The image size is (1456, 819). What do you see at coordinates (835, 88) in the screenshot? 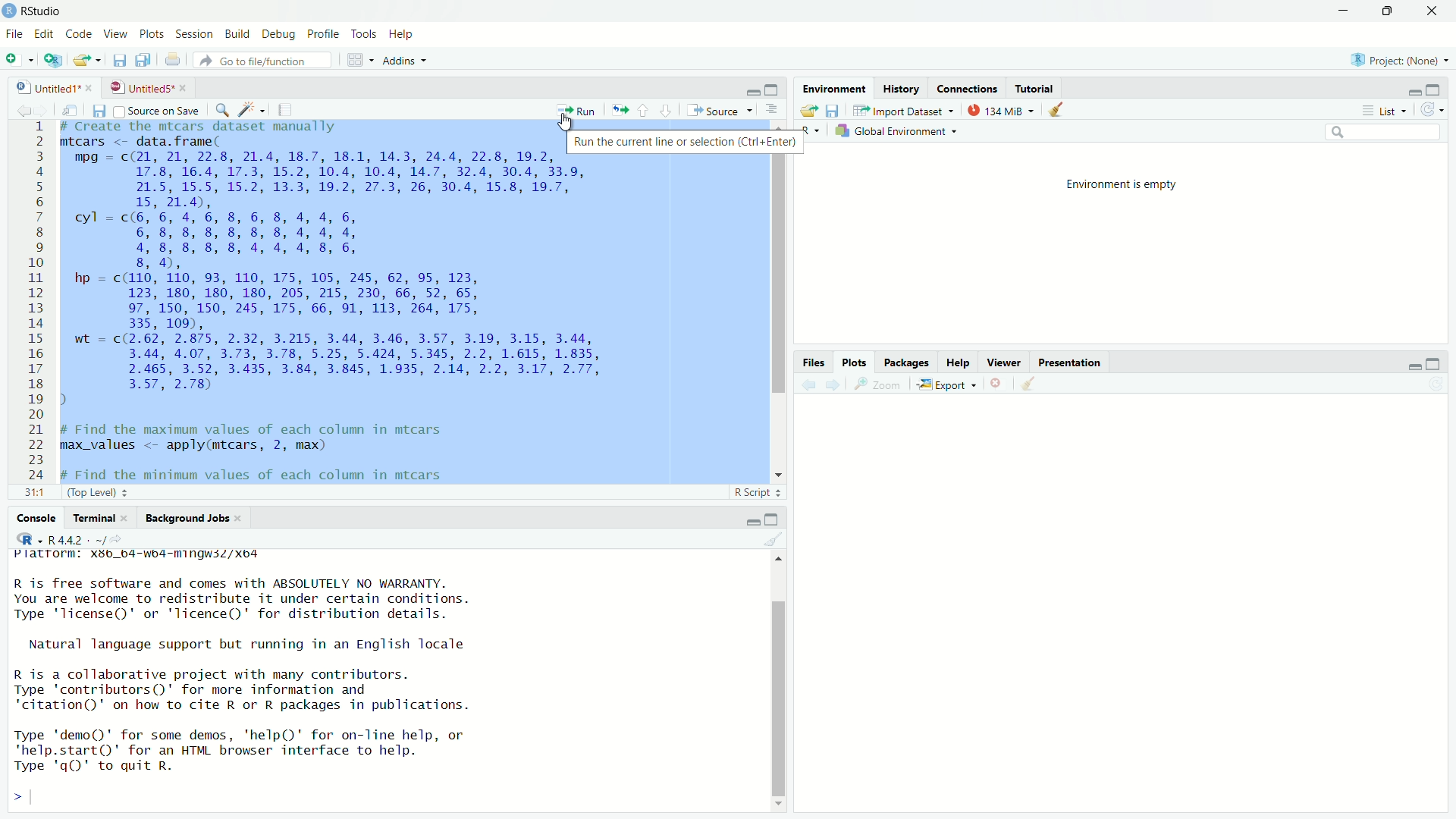
I see `Environment` at bounding box center [835, 88].